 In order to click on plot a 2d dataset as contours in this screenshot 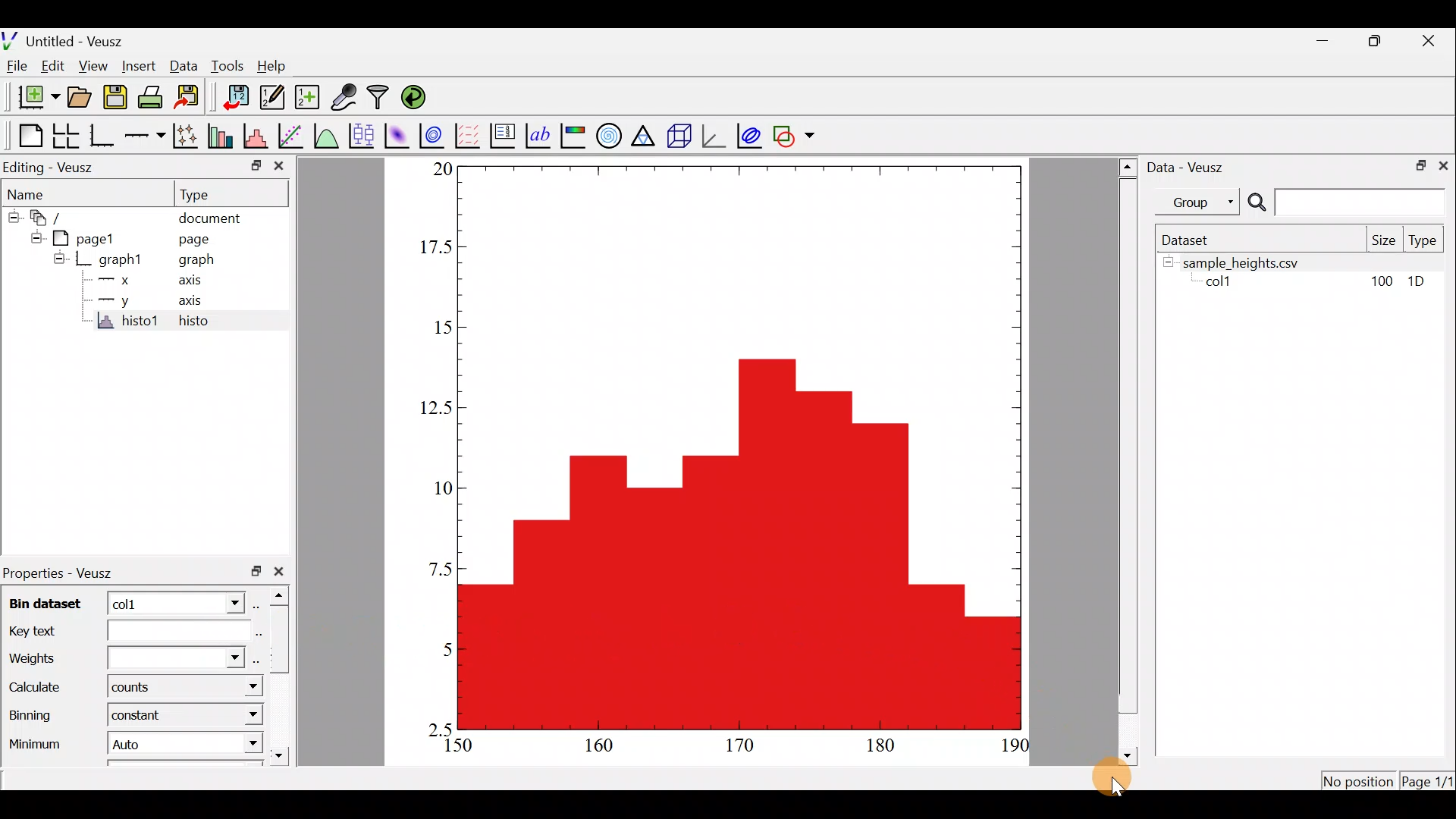, I will do `click(435, 136)`.